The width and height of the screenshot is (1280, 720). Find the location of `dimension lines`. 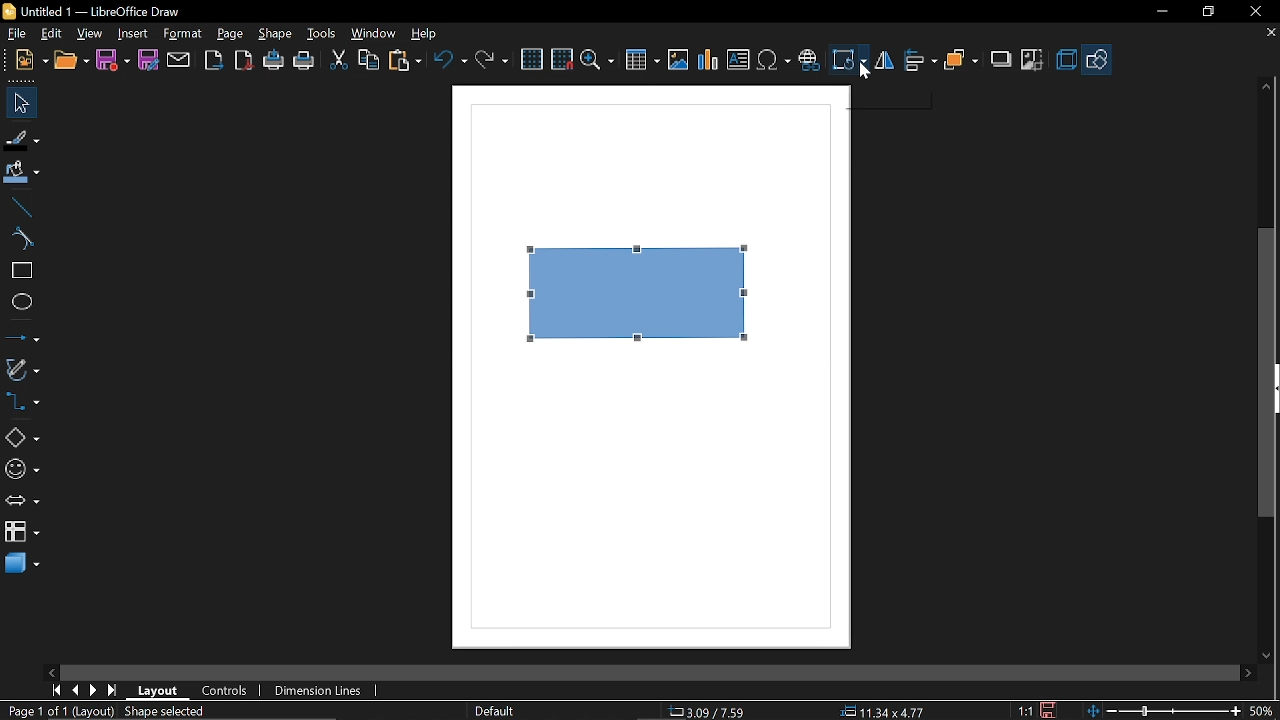

dimension lines is located at coordinates (318, 690).